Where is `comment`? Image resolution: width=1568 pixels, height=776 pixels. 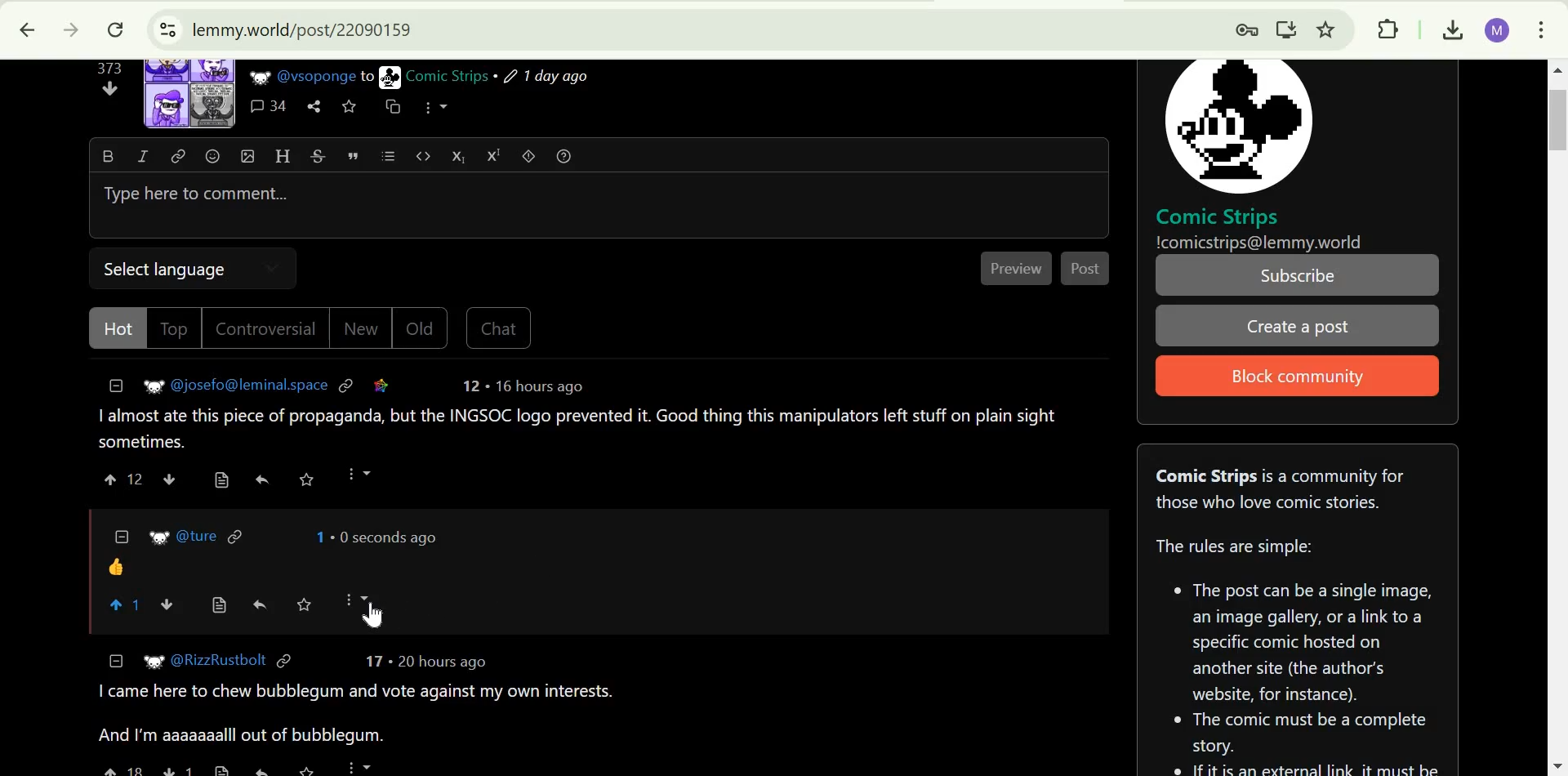 comment is located at coordinates (116, 567).